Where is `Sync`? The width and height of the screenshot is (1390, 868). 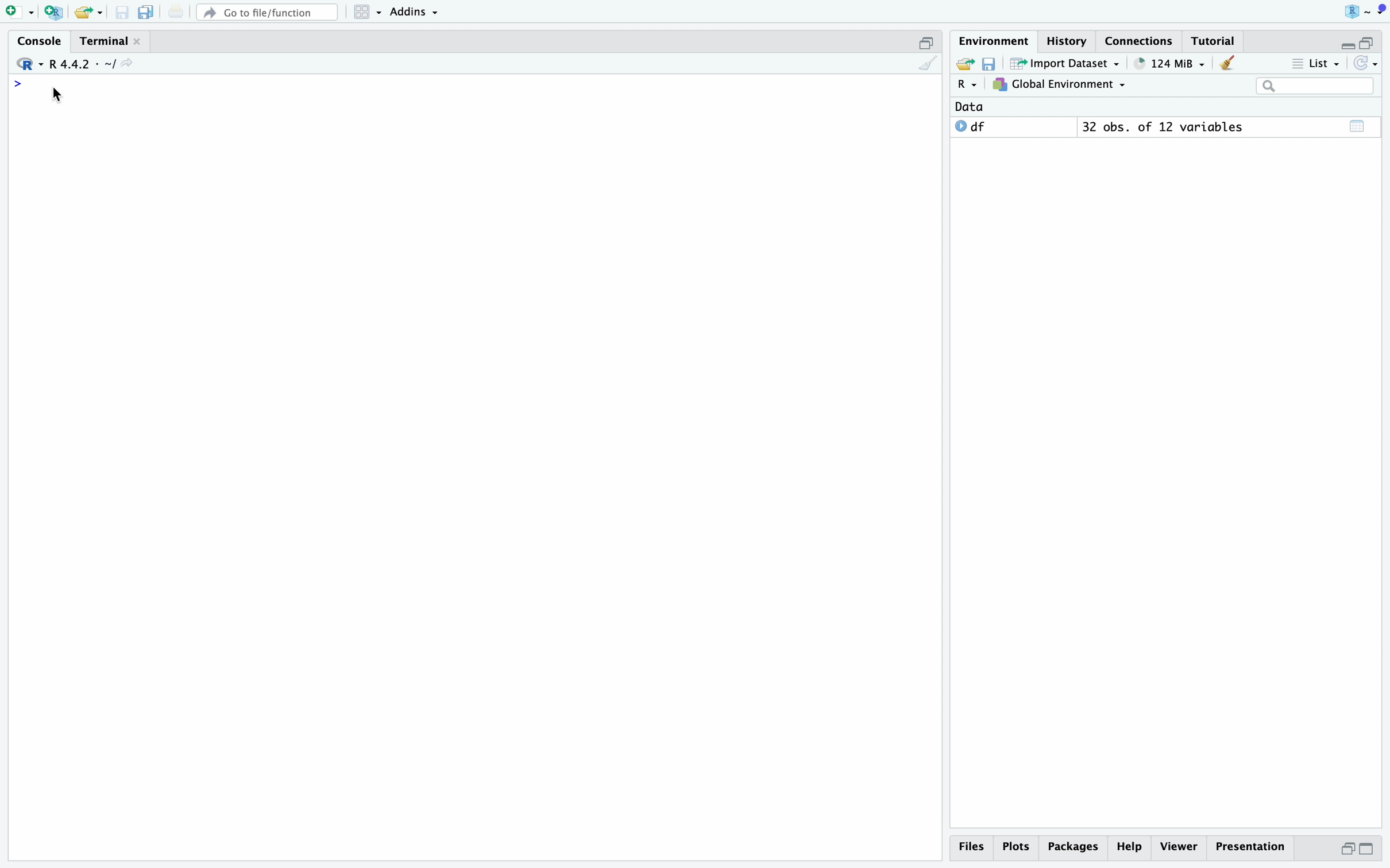 Sync is located at coordinates (1366, 63).